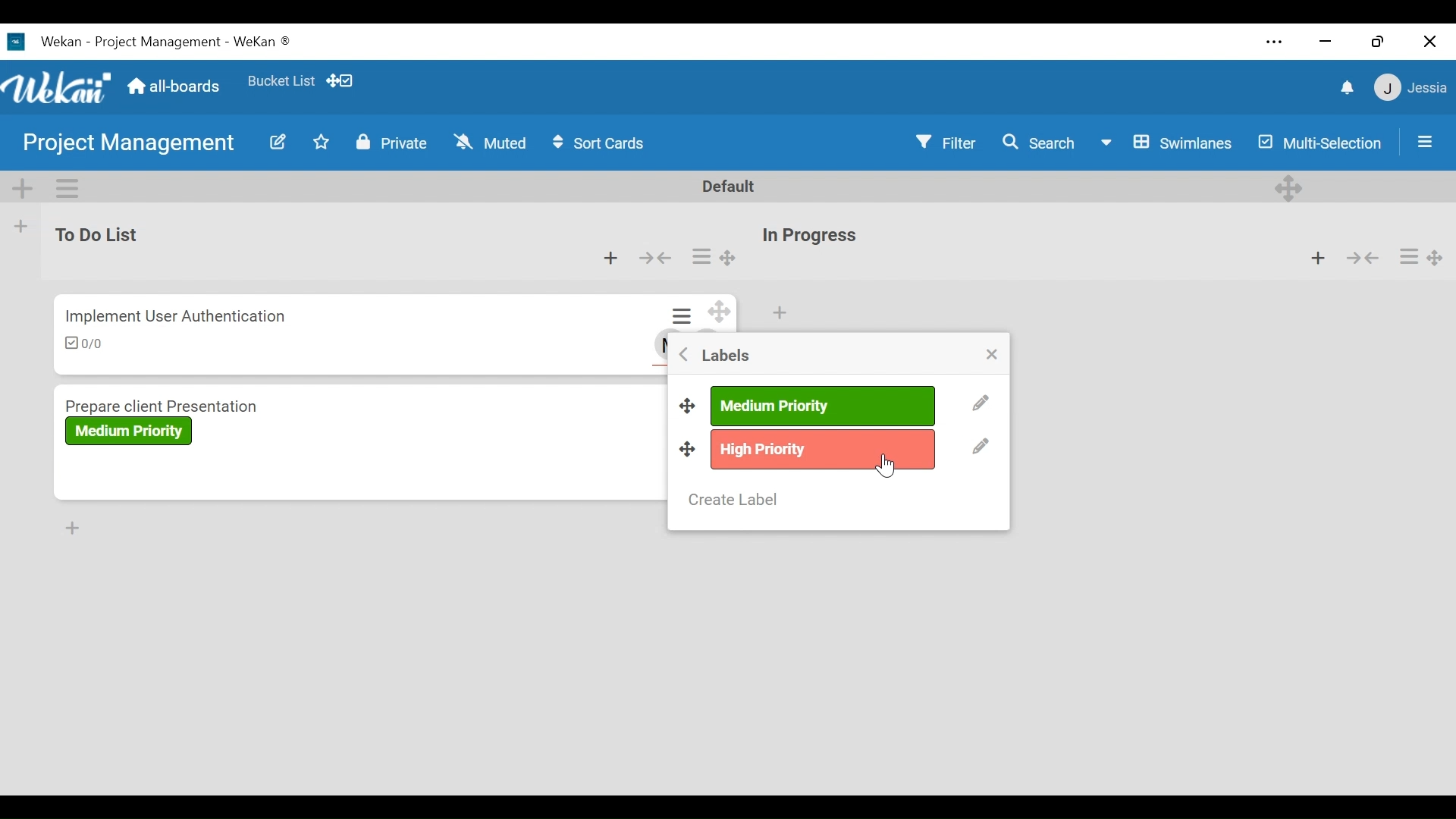 The width and height of the screenshot is (1456, 819). Describe the element at coordinates (343, 81) in the screenshot. I see `Show desktop drag handles` at that location.